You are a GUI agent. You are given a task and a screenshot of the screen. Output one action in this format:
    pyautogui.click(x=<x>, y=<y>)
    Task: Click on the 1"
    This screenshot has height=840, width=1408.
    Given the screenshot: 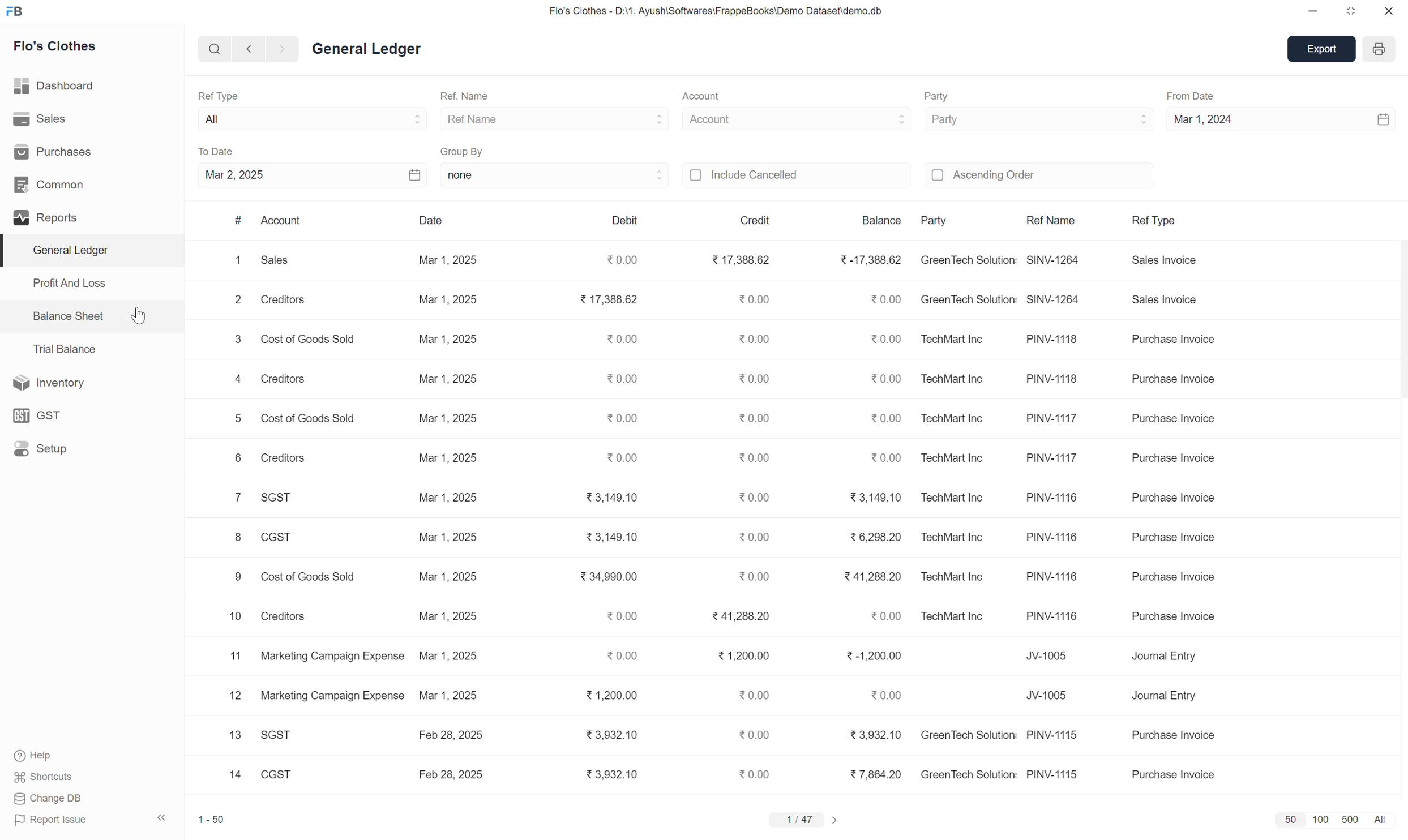 What is the action you would take?
    pyautogui.click(x=234, y=655)
    